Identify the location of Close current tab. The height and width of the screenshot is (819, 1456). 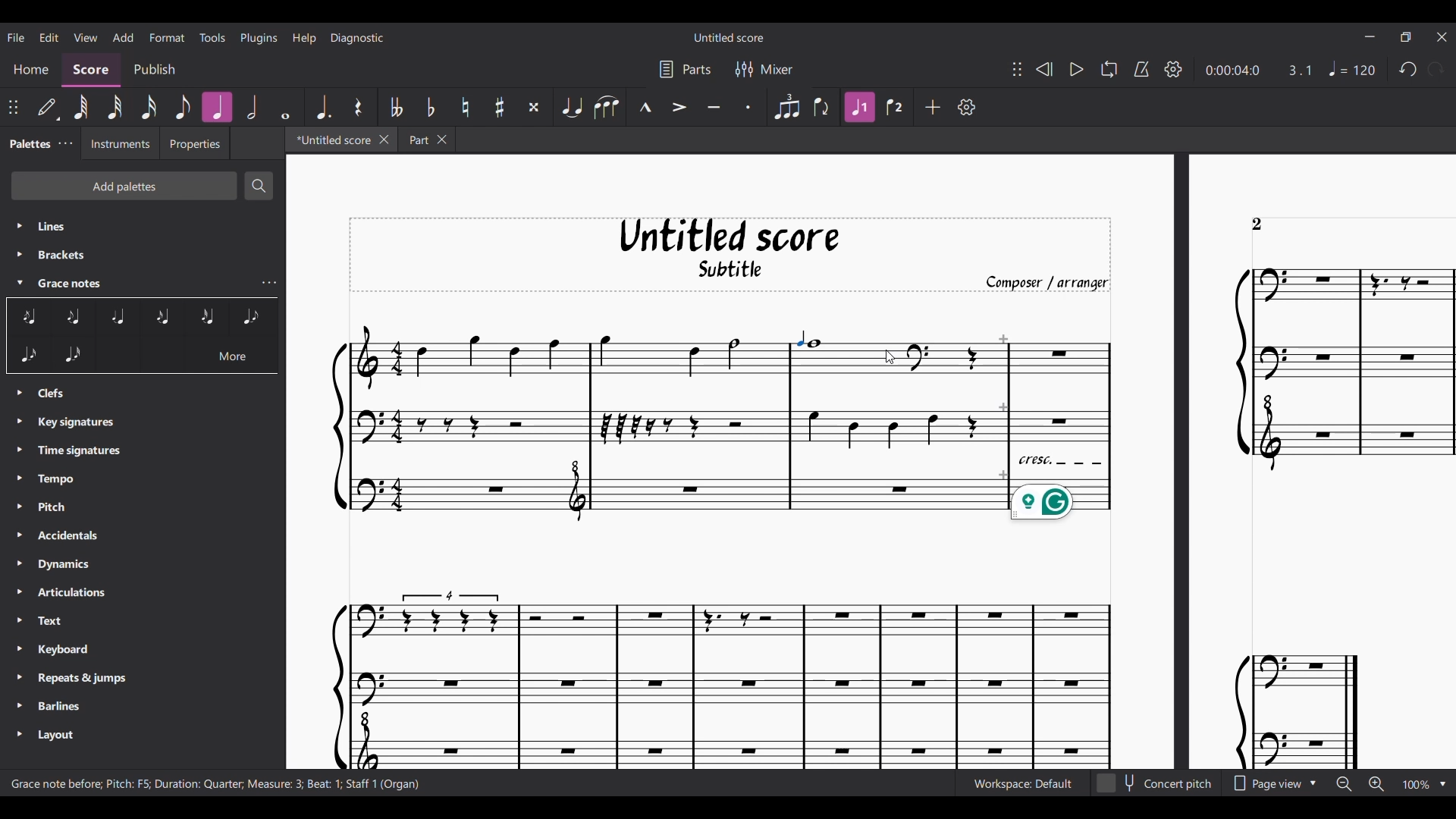
(383, 140).